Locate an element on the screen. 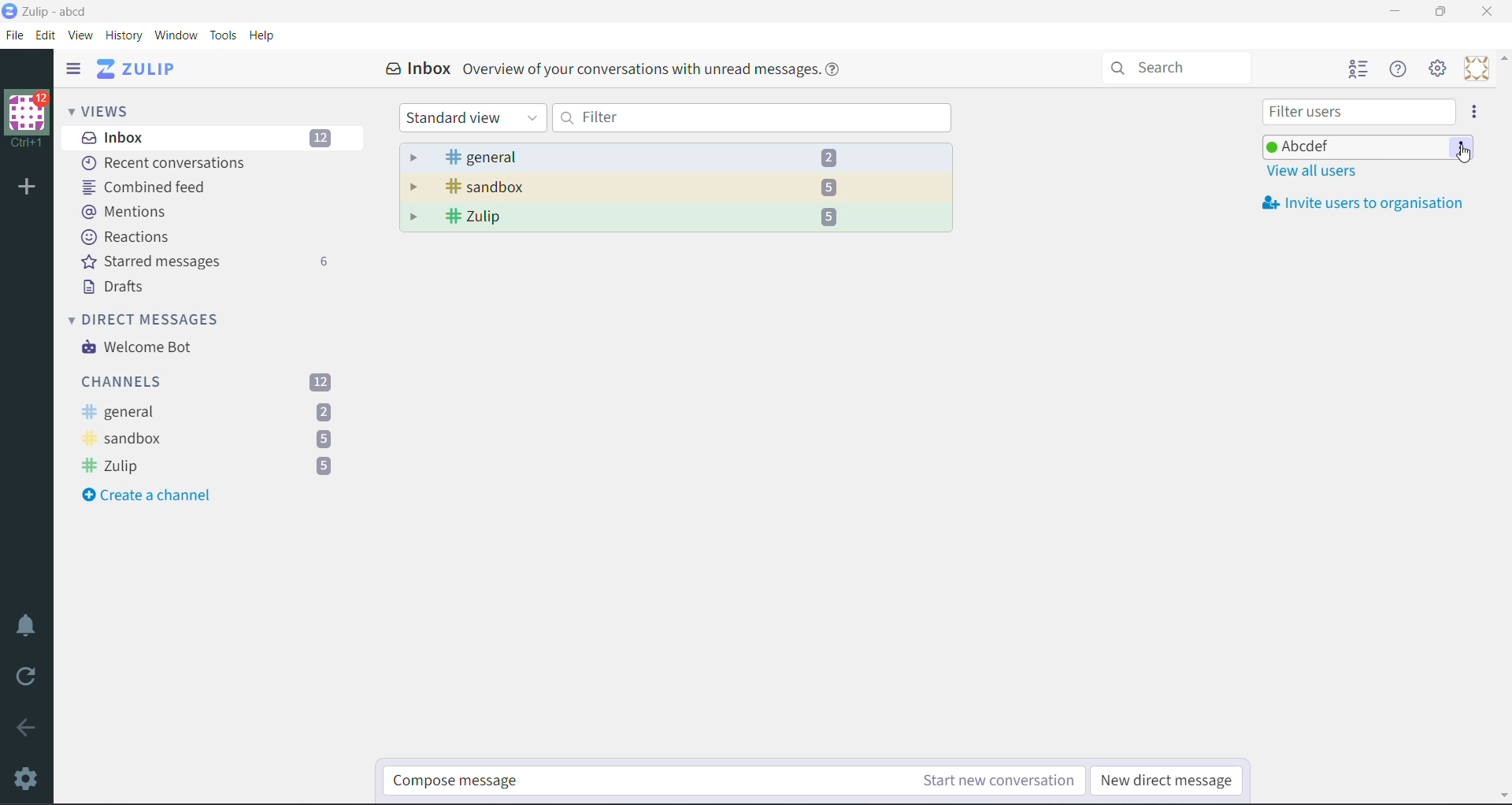  Starred messages is located at coordinates (211, 263).